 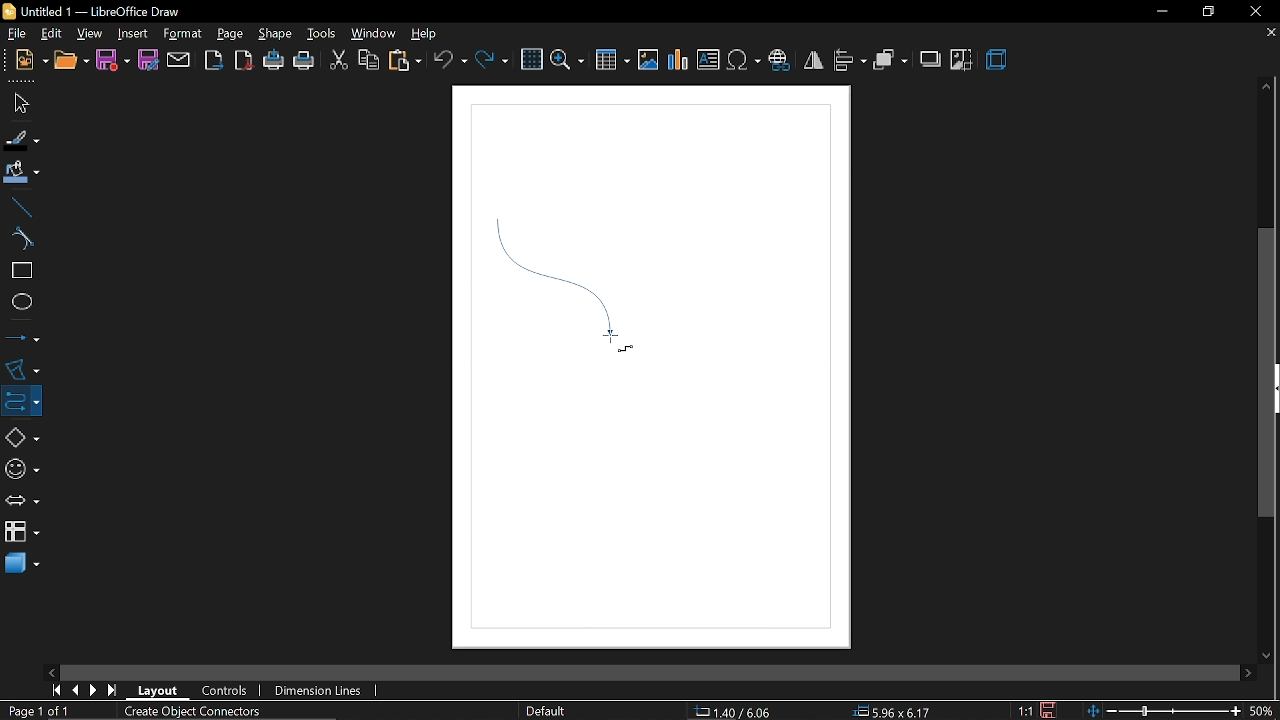 What do you see at coordinates (131, 32) in the screenshot?
I see `Insert` at bounding box center [131, 32].